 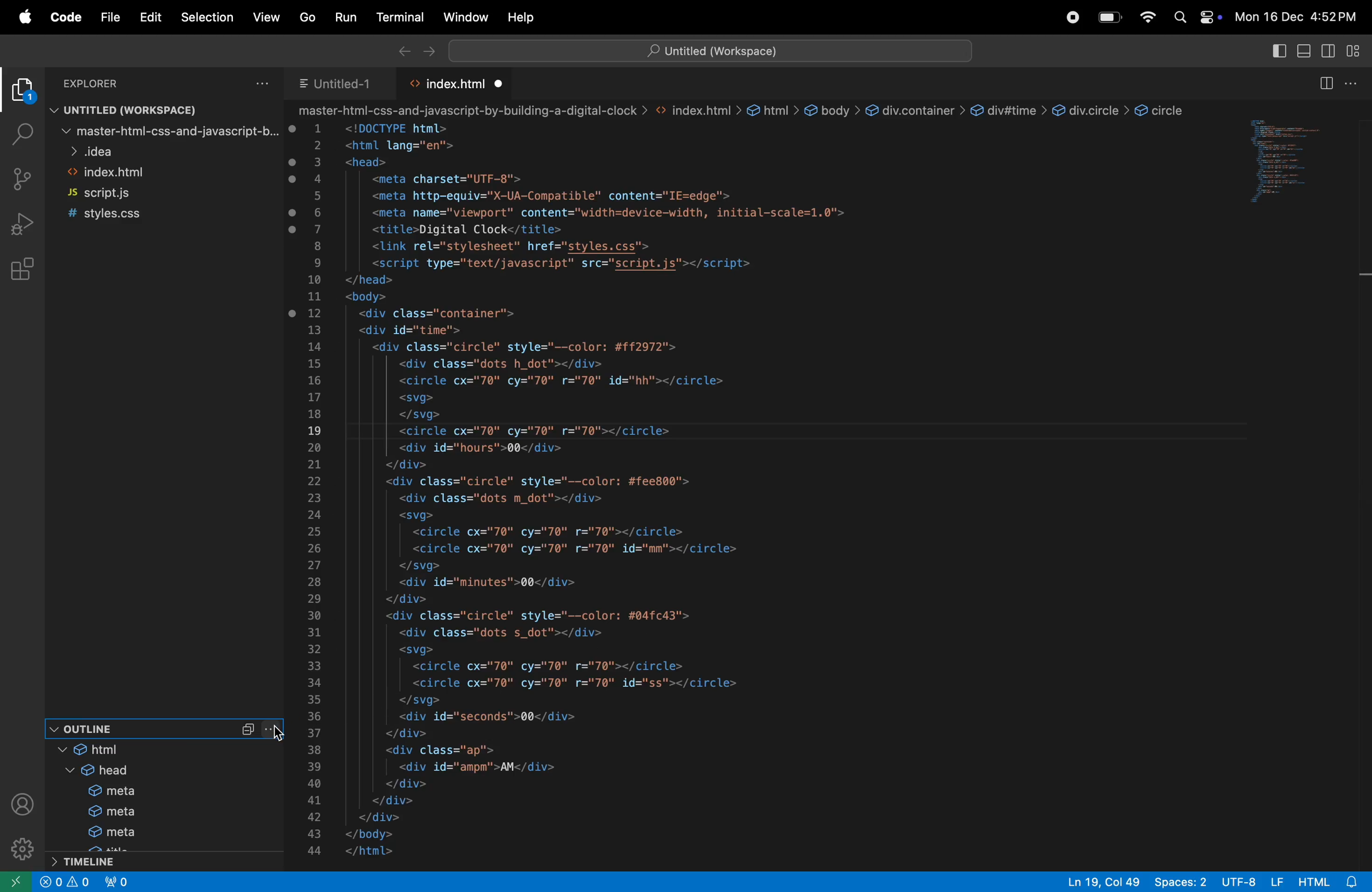 What do you see at coordinates (105, 14) in the screenshot?
I see `file` at bounding box center [105, 14].